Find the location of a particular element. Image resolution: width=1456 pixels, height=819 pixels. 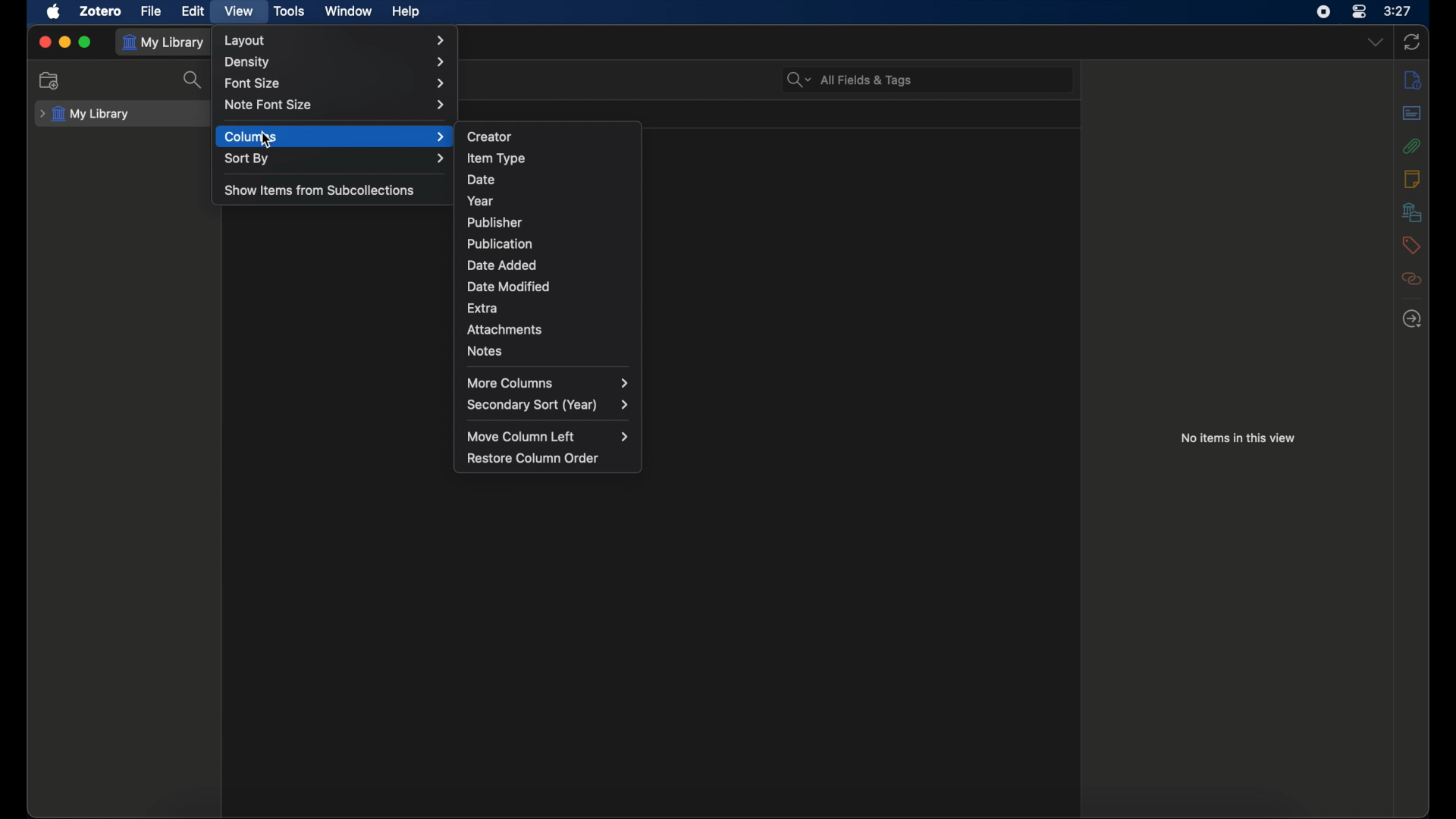

libraries is located at coordinates (1411, 212).